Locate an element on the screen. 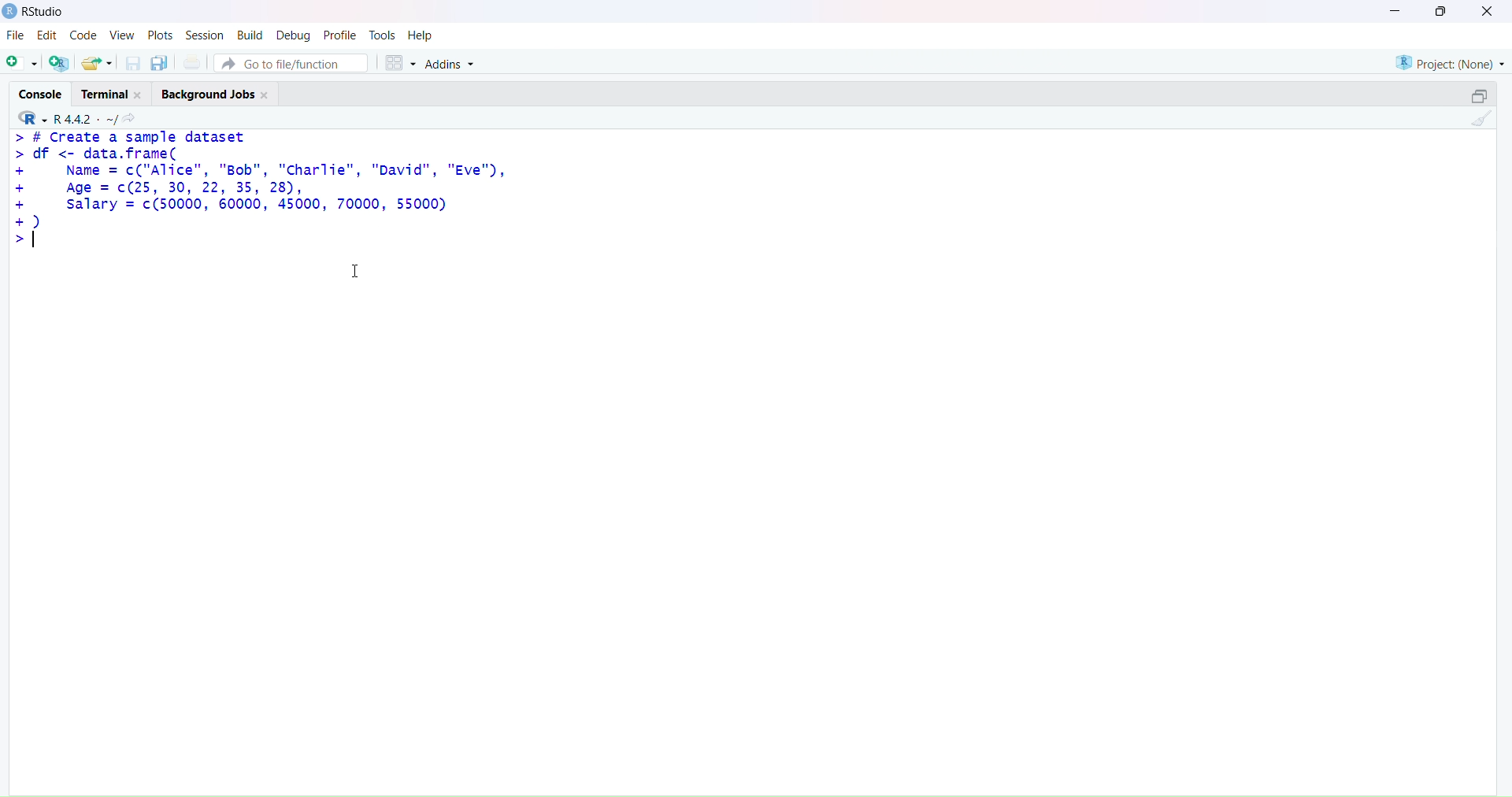 This screenshot has height=797, width=1512. Rstudio is located at coordinates (36, 12).